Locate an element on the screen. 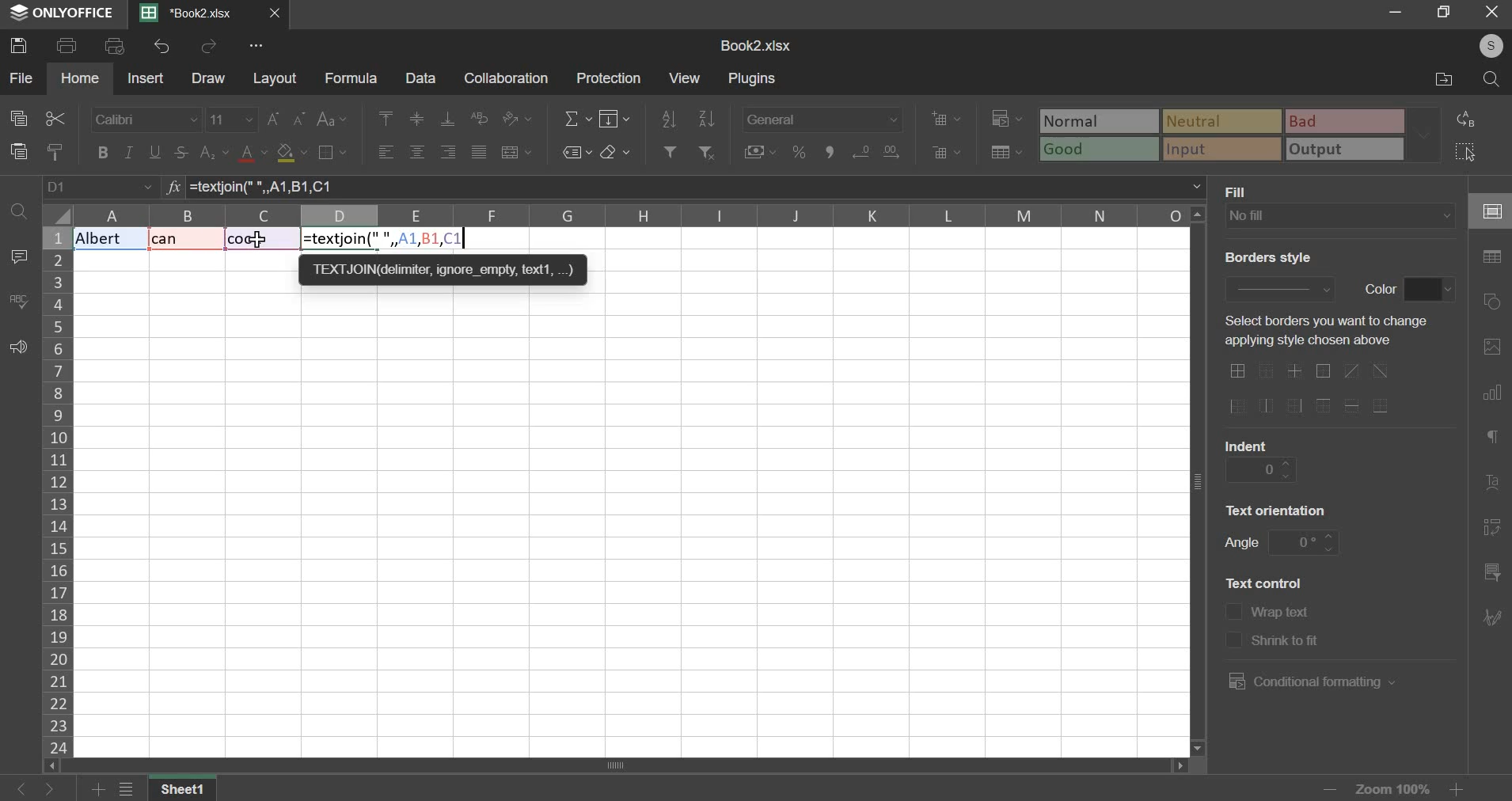 This screenshot has height=801, width=1512. bold is located at coordinates (101, 152).